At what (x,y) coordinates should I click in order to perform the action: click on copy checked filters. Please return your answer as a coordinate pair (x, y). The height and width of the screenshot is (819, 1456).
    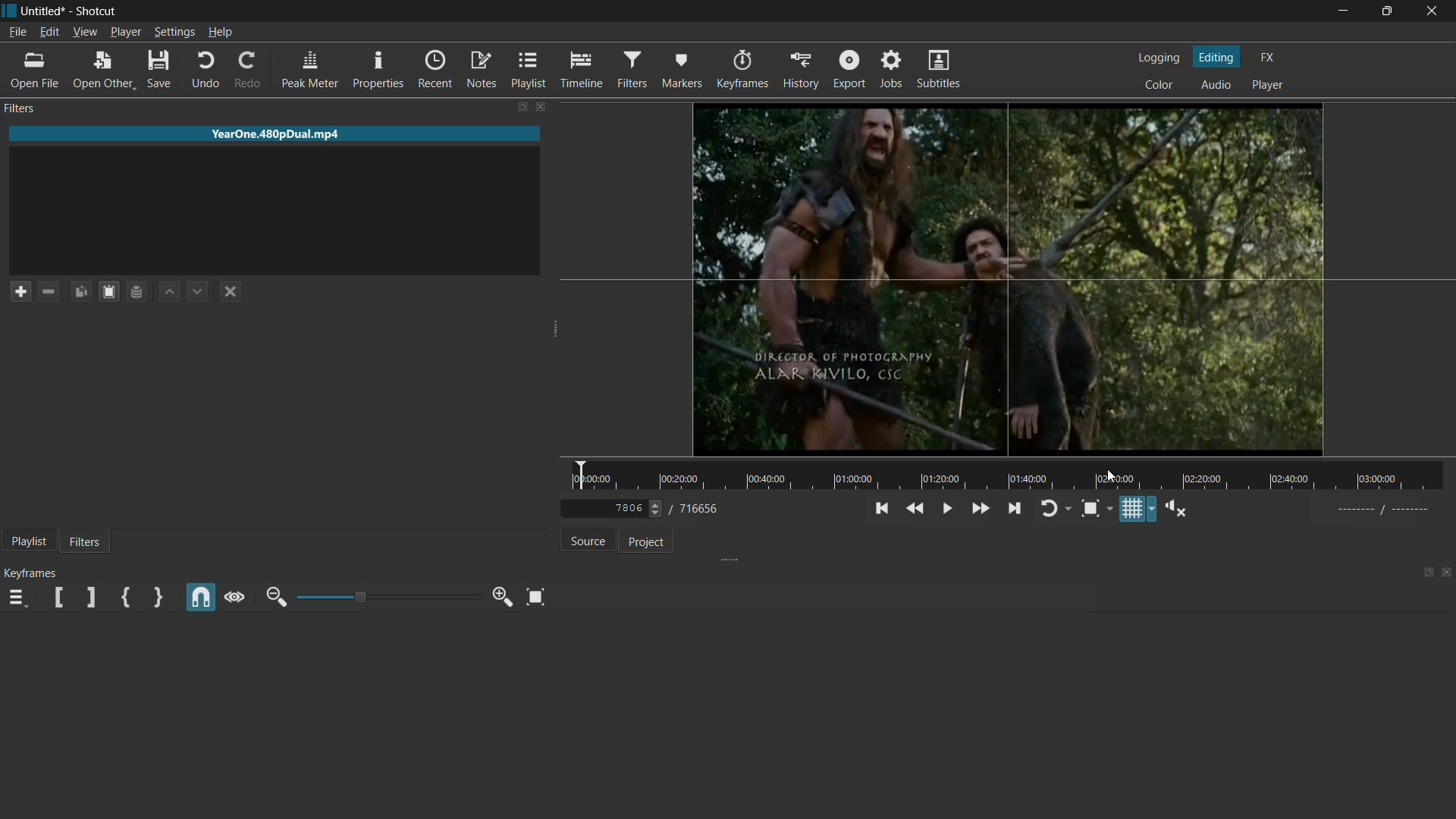
    Looking at the image, I should click on (79, 292).